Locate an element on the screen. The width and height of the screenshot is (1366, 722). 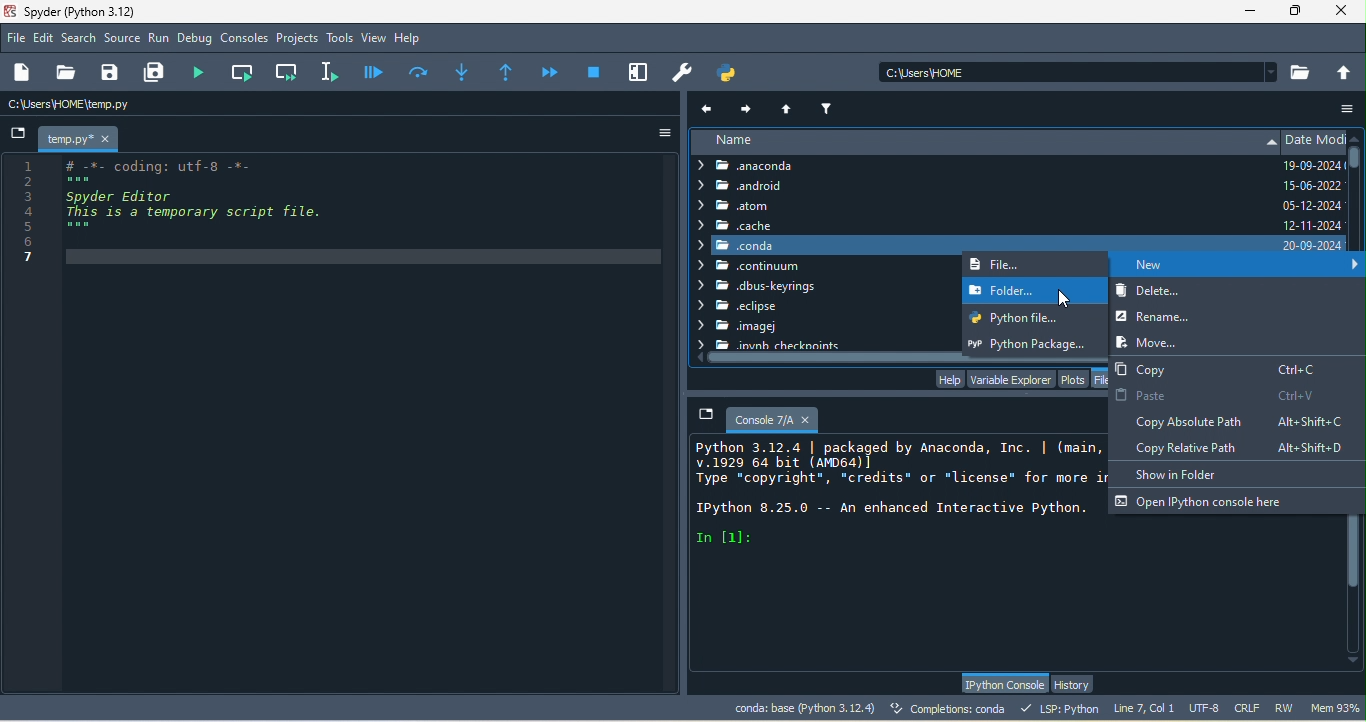
coding is located at coordinates (181, 212).